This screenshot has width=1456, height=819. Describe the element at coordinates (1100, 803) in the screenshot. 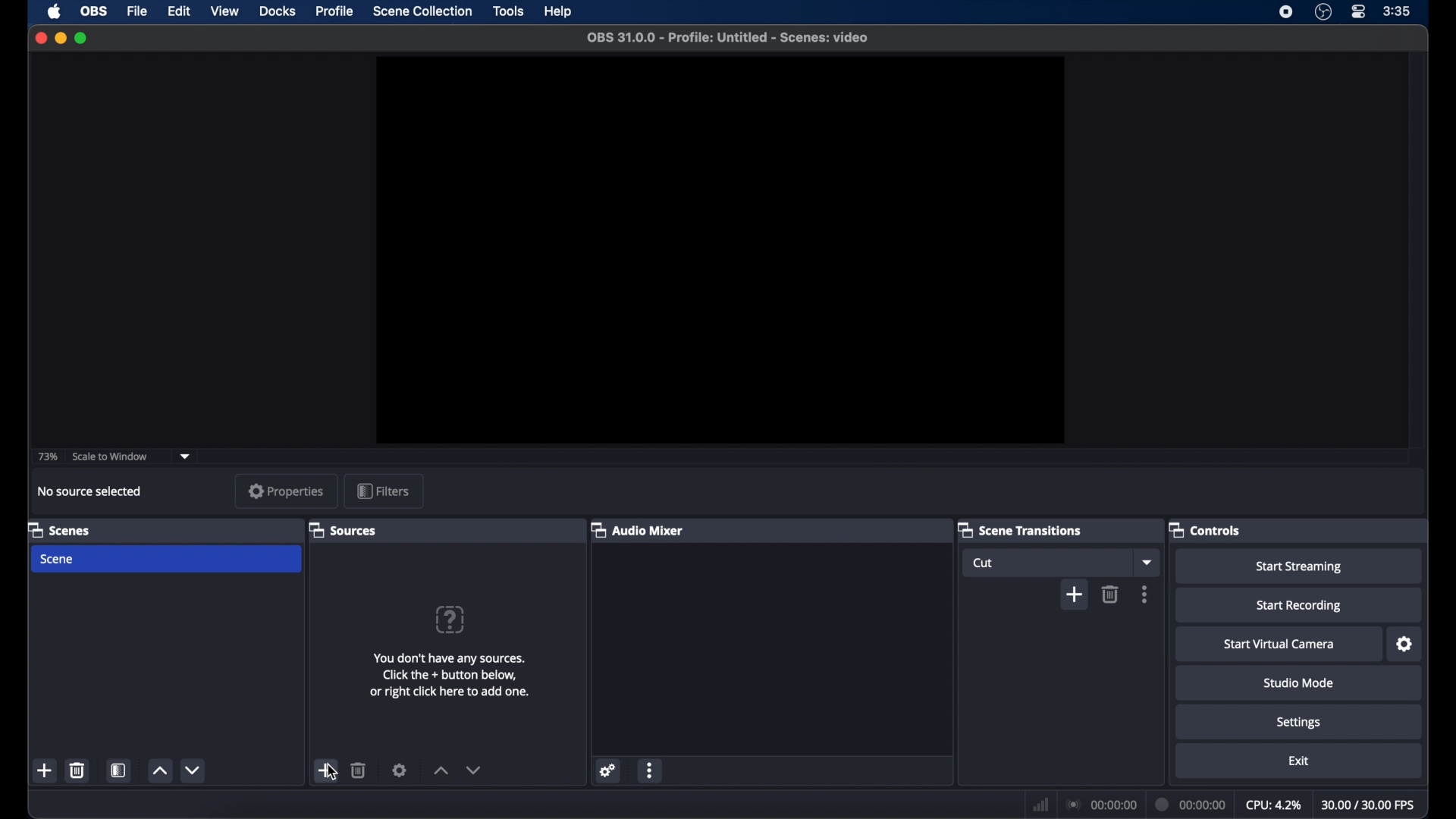

I see `connection` at that location.